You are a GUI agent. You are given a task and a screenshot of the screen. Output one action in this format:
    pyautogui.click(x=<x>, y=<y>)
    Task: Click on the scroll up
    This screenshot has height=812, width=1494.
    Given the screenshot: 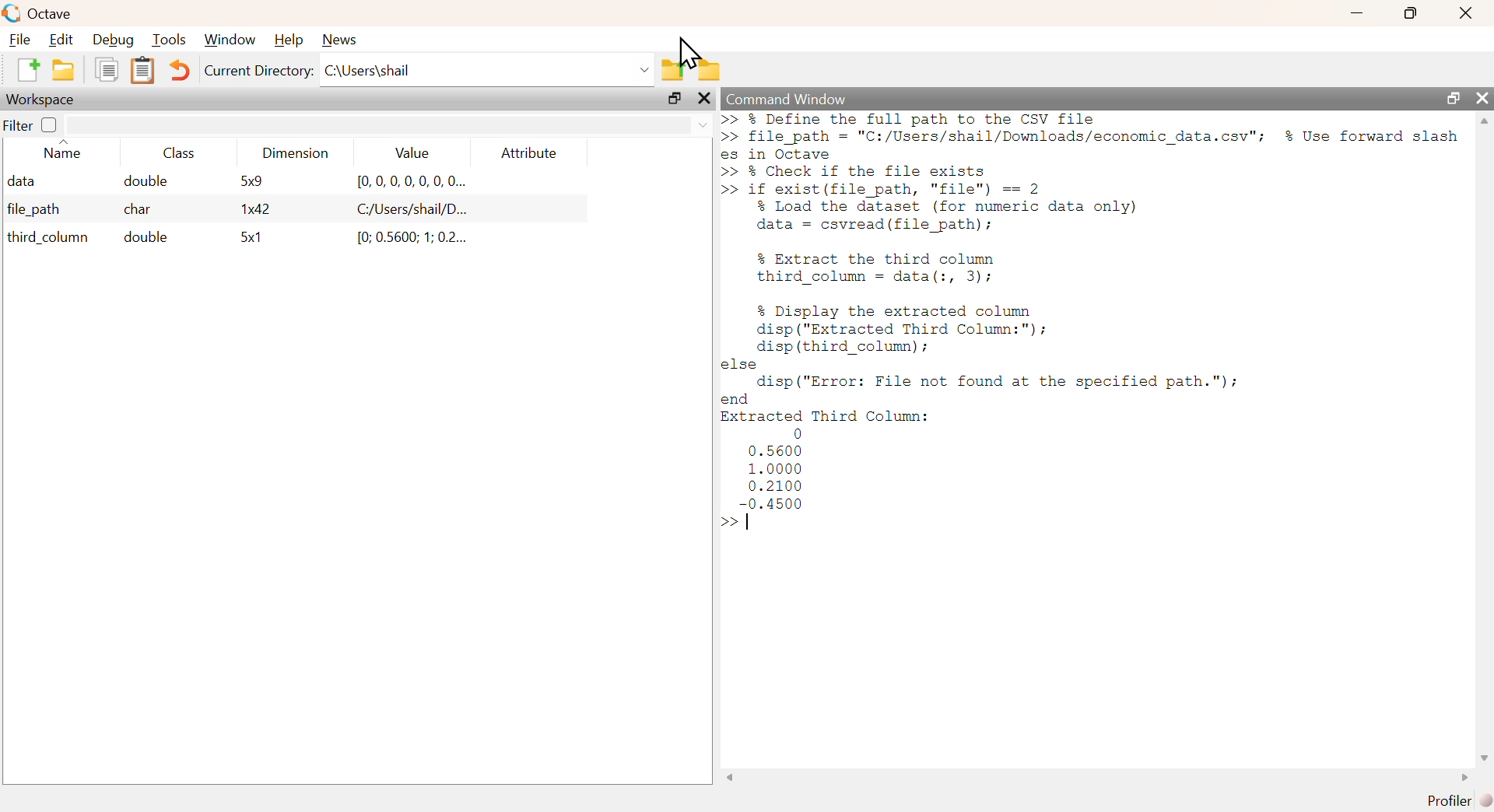 What is the action you would take?
    pyautogui.click(x=1485, y=121)
    